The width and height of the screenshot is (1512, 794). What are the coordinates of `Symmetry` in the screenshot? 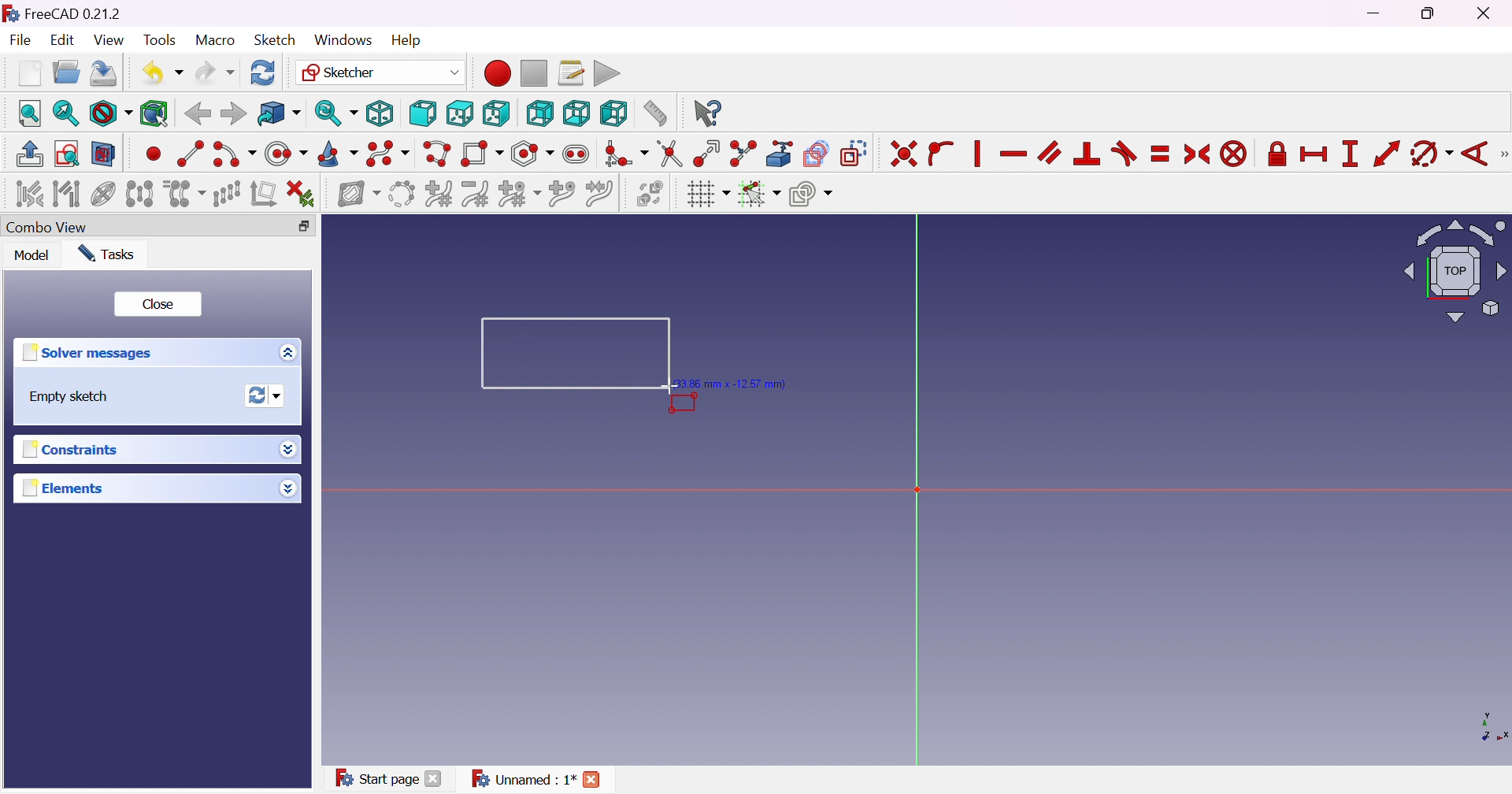 It's located at (139, 193).